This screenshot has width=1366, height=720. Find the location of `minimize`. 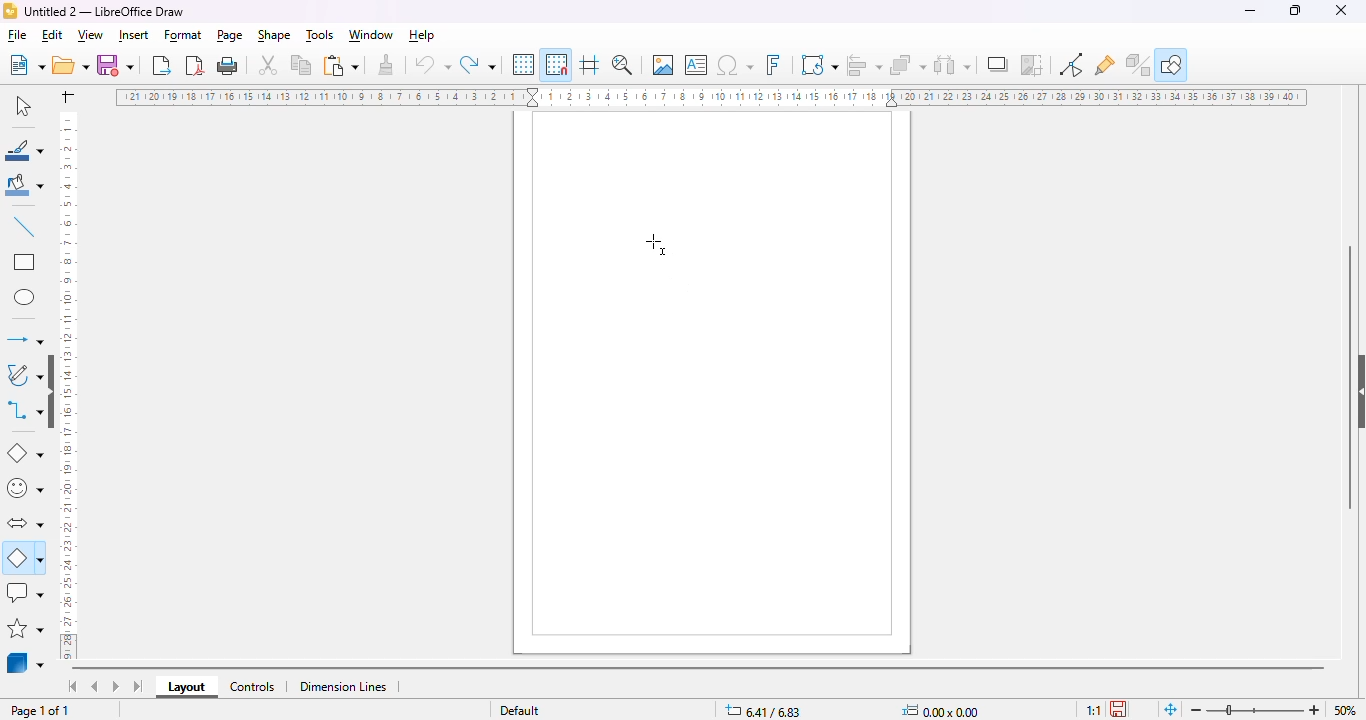

minimize is located at coordinates (1250, 10).